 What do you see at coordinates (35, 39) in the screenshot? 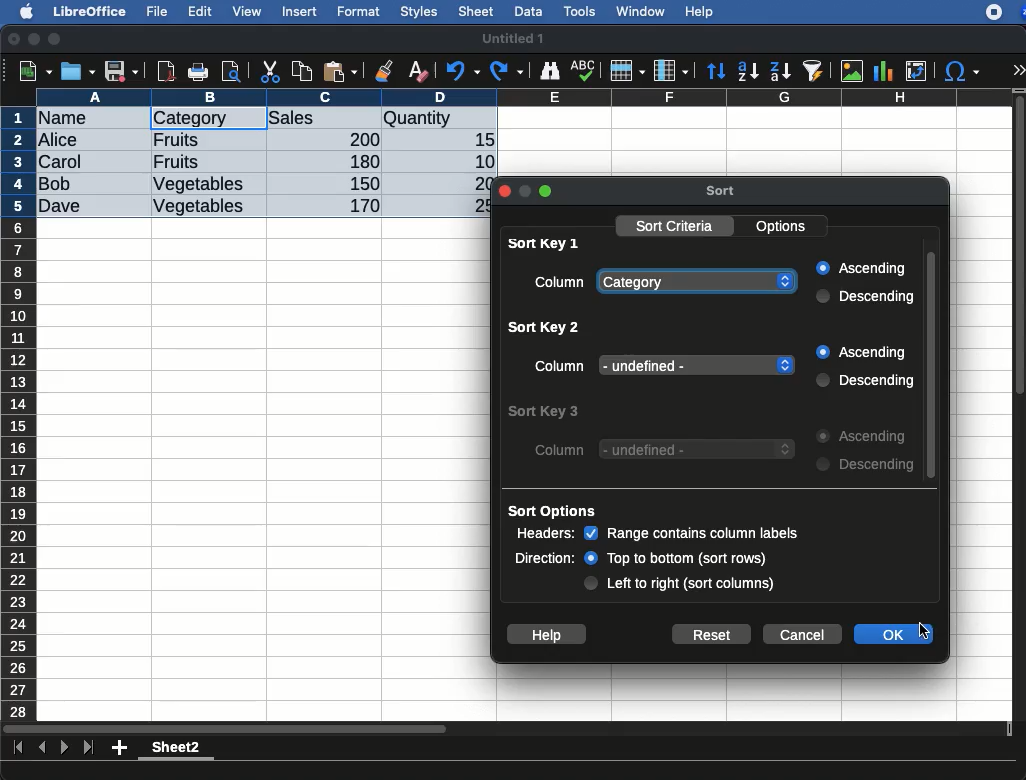
I see `minimize` at bounding box center [35, 39].